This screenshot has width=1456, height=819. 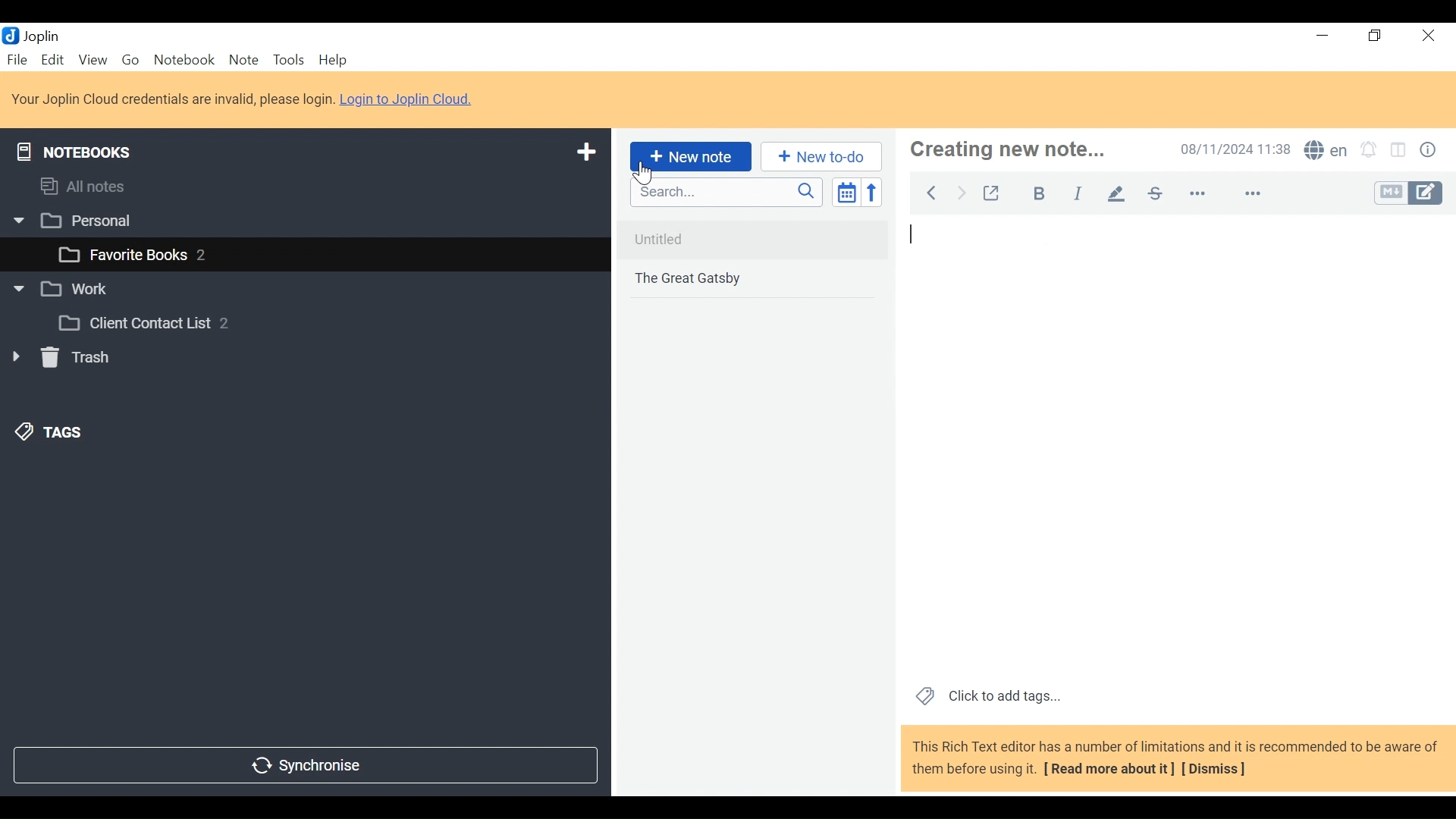 What do you see at coordinates (62, 360) in the screenshot?
I see `Trash` at bounding box center [62, 360].